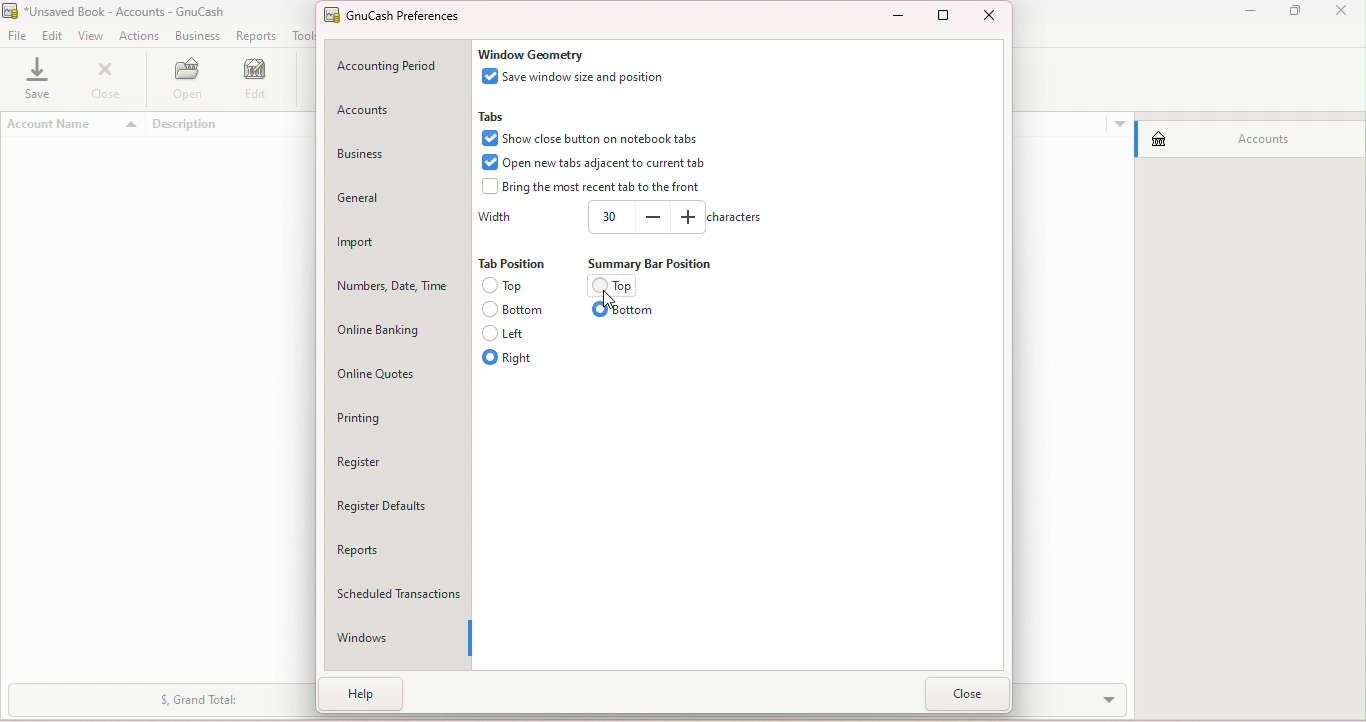 Image resolution: width=1366 pixels, height=722 pixels. Describe the element at coordinates (110, 83) in the screenshot. I see `Close` at that location.